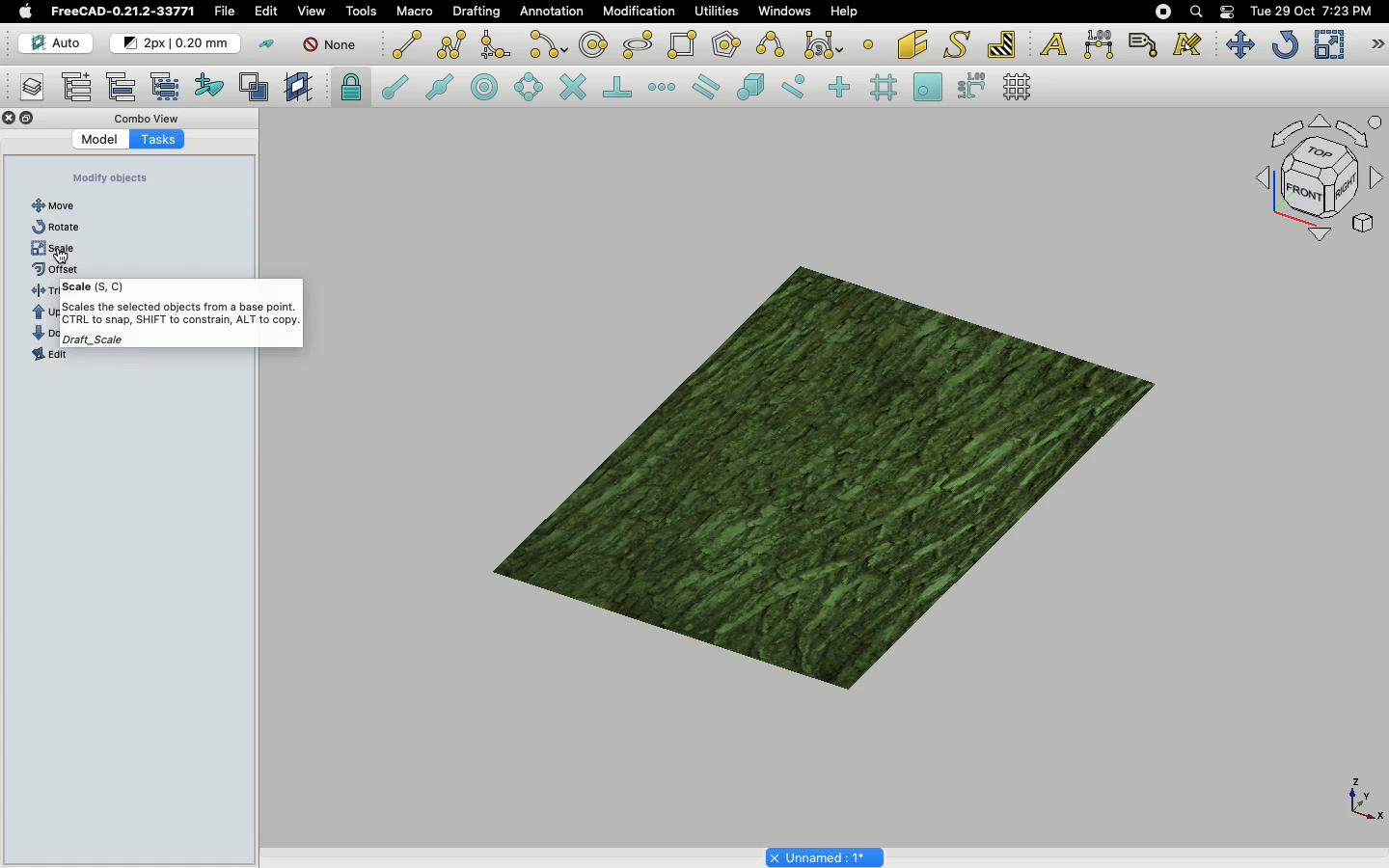 The width and height of the screenshot is (1389, 868). What do you see at coordinates (267, 13) in the screenshot?
I see `Edit` at bounding box center [267, 13].